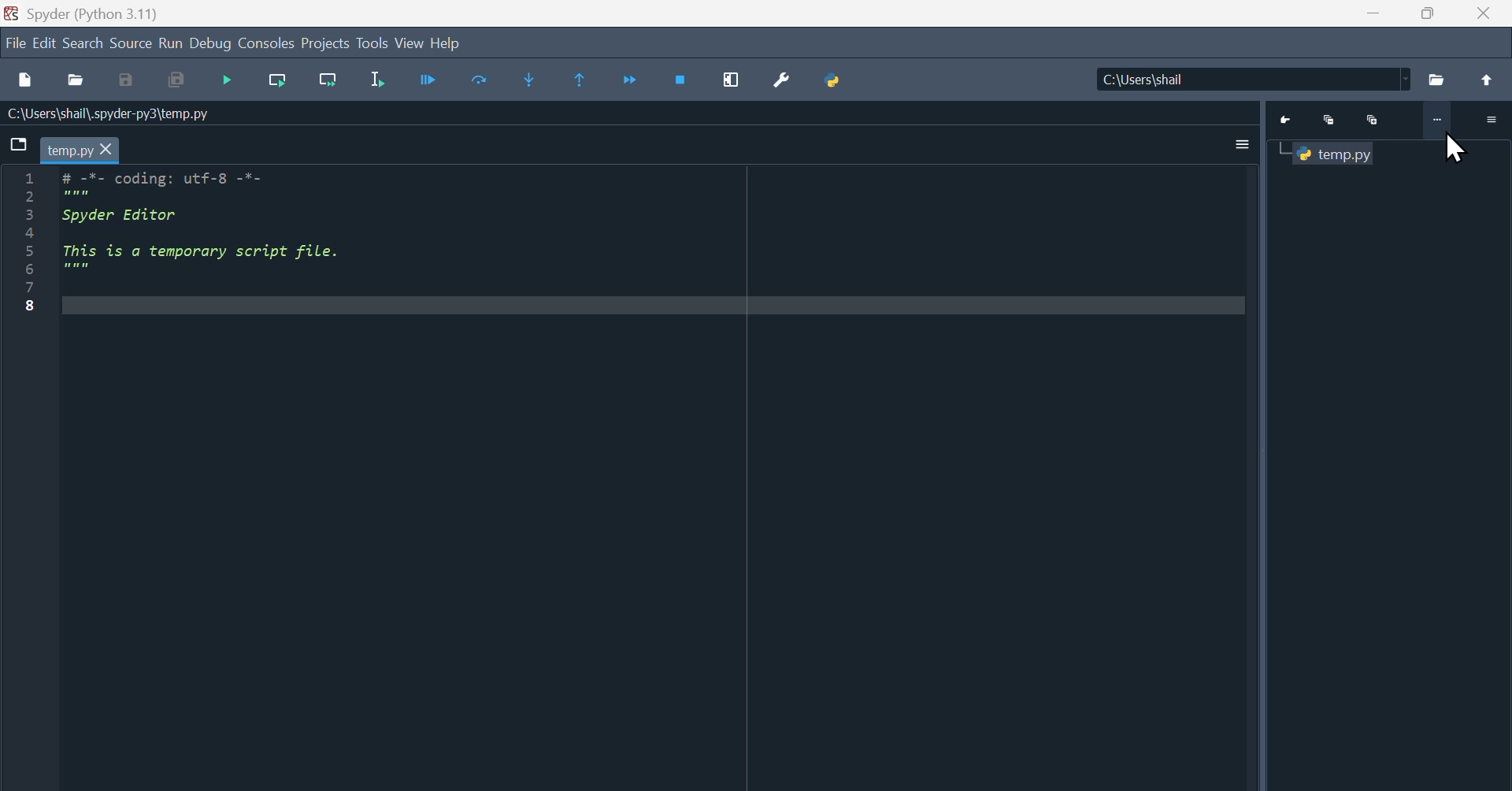 Image resolution: width=1512 pixels, height=791 pixels. I want to click on Run selection, so click(376, 83).